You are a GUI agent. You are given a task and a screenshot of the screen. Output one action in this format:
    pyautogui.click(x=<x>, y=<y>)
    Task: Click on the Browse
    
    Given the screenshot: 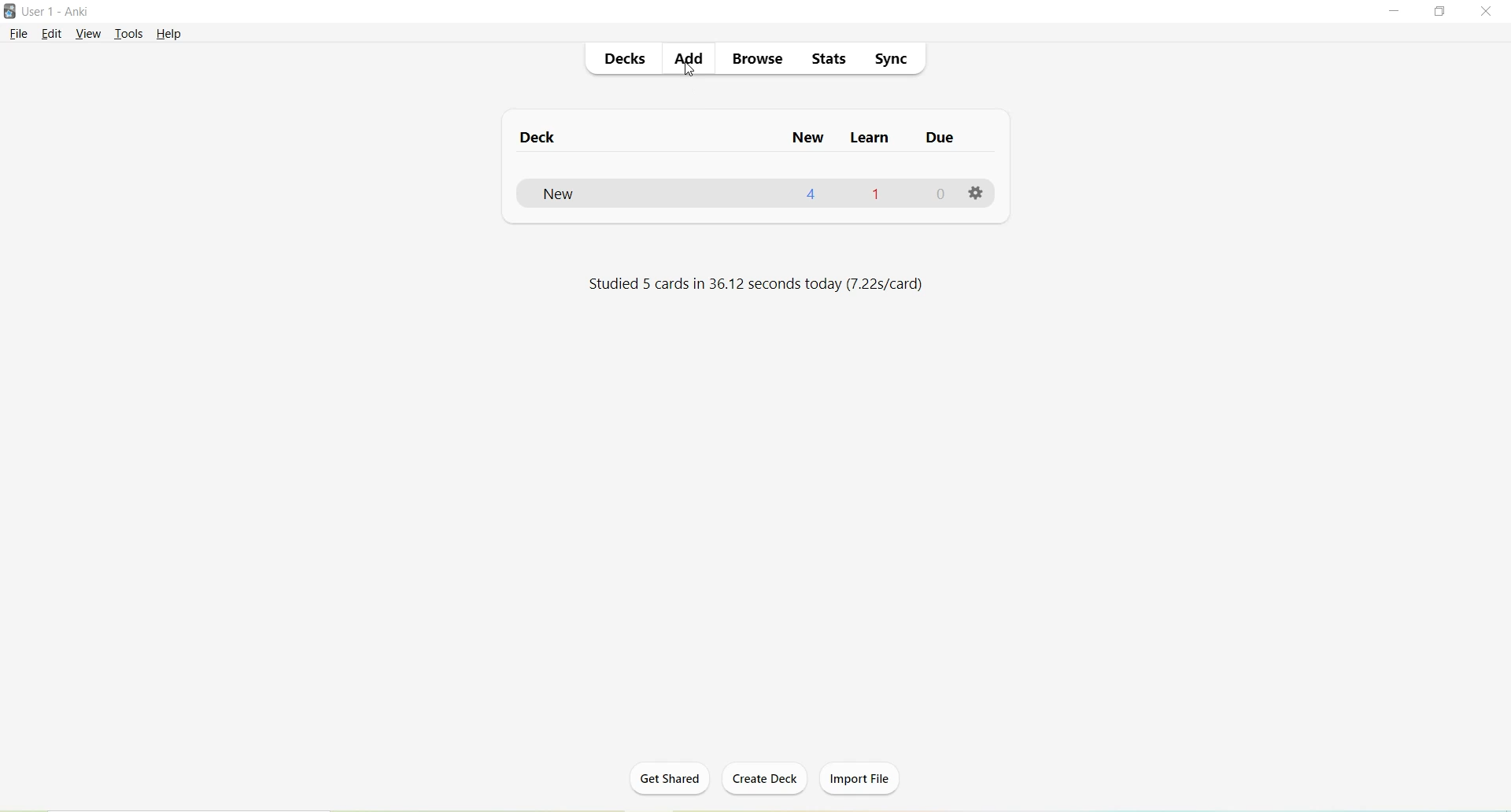 What is the action you would take?
    pyautogui.click(x=751, y=60)
    